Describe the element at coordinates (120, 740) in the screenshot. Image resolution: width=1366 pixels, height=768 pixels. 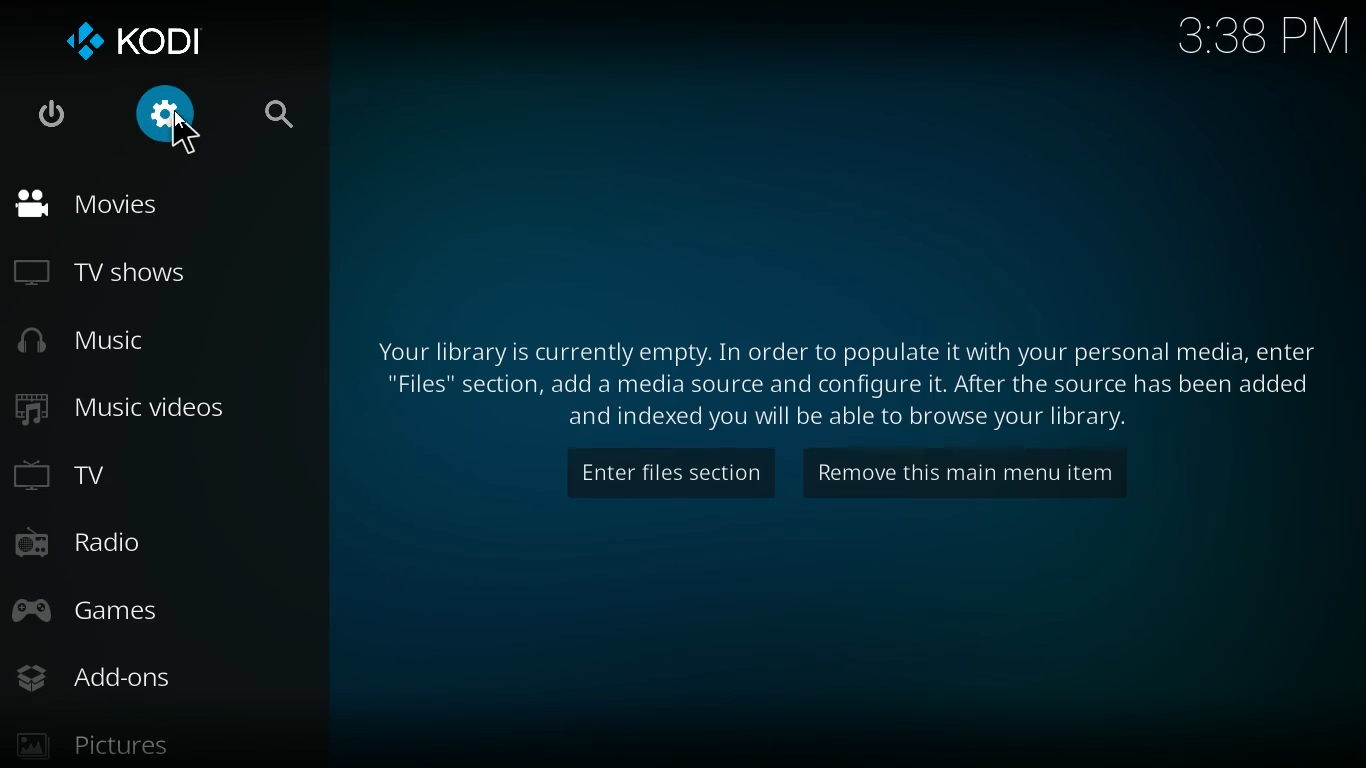
I see `pictures` at that location.